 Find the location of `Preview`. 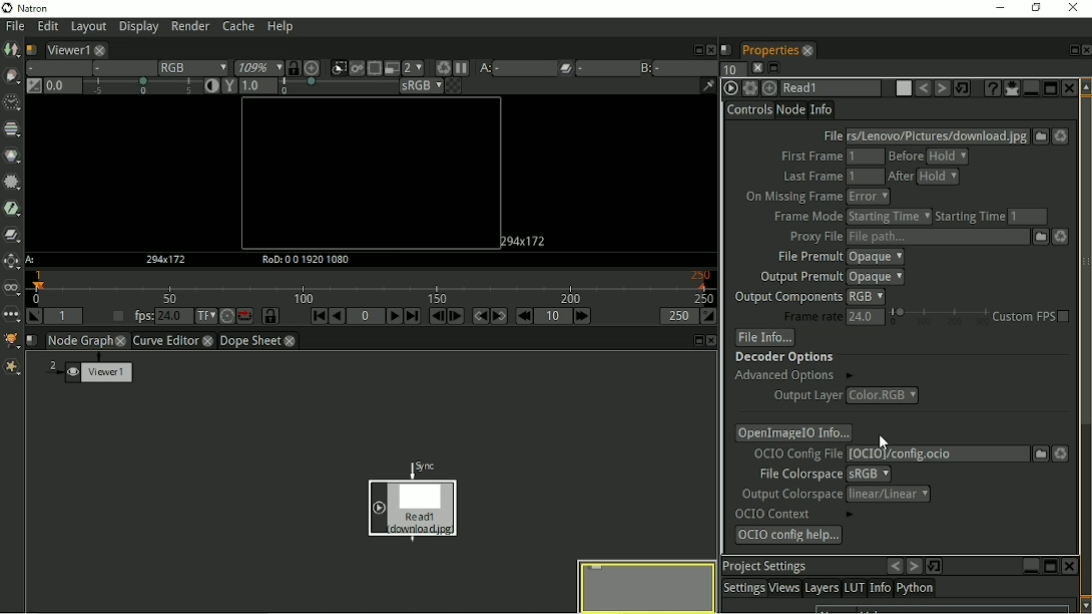

Preview is located at coordinates (645, 588).